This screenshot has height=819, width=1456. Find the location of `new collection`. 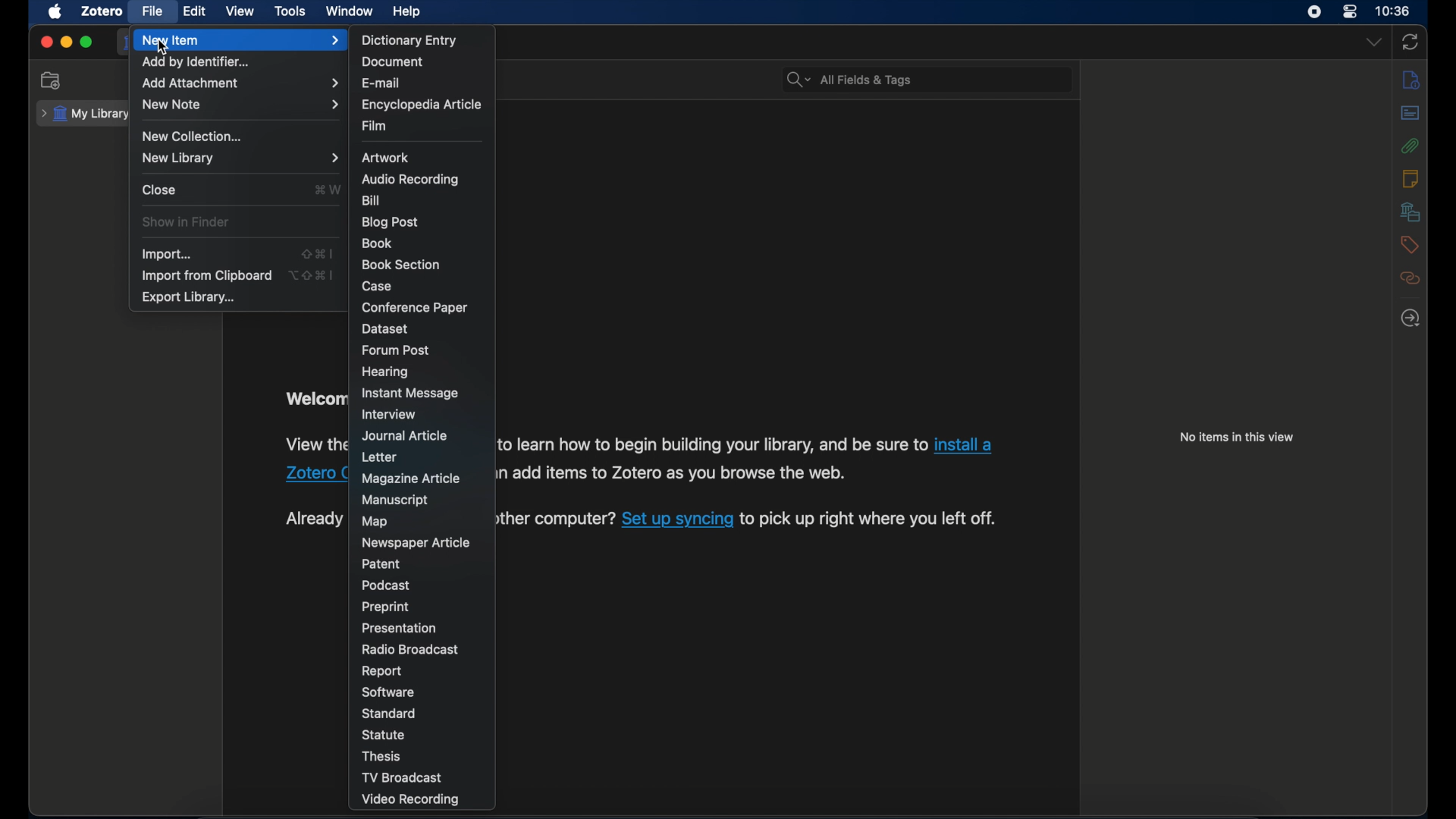

new collection is located at coordinates (194, 136).